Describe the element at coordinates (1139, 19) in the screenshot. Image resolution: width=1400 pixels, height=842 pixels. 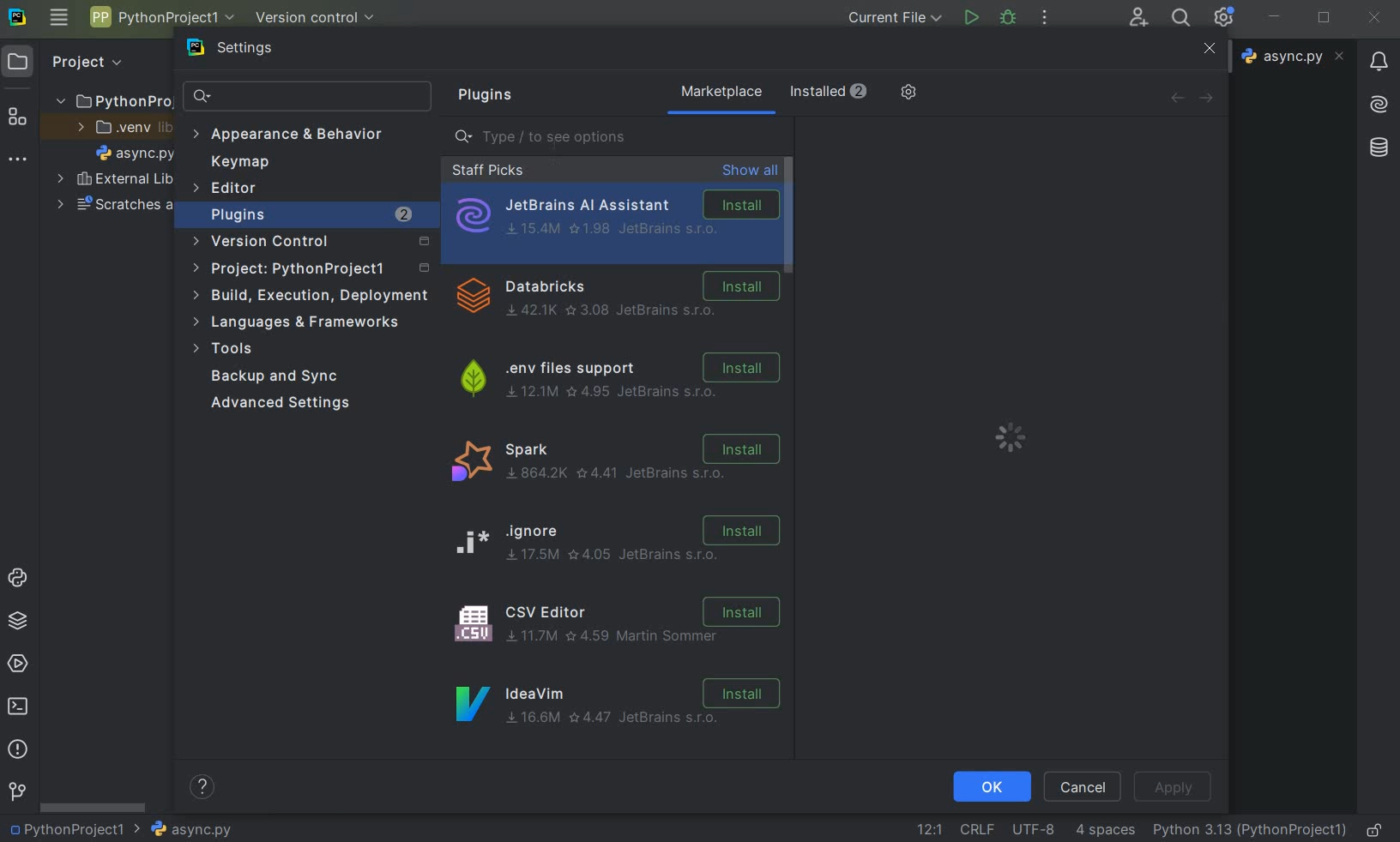
I see `code with me` at that location.